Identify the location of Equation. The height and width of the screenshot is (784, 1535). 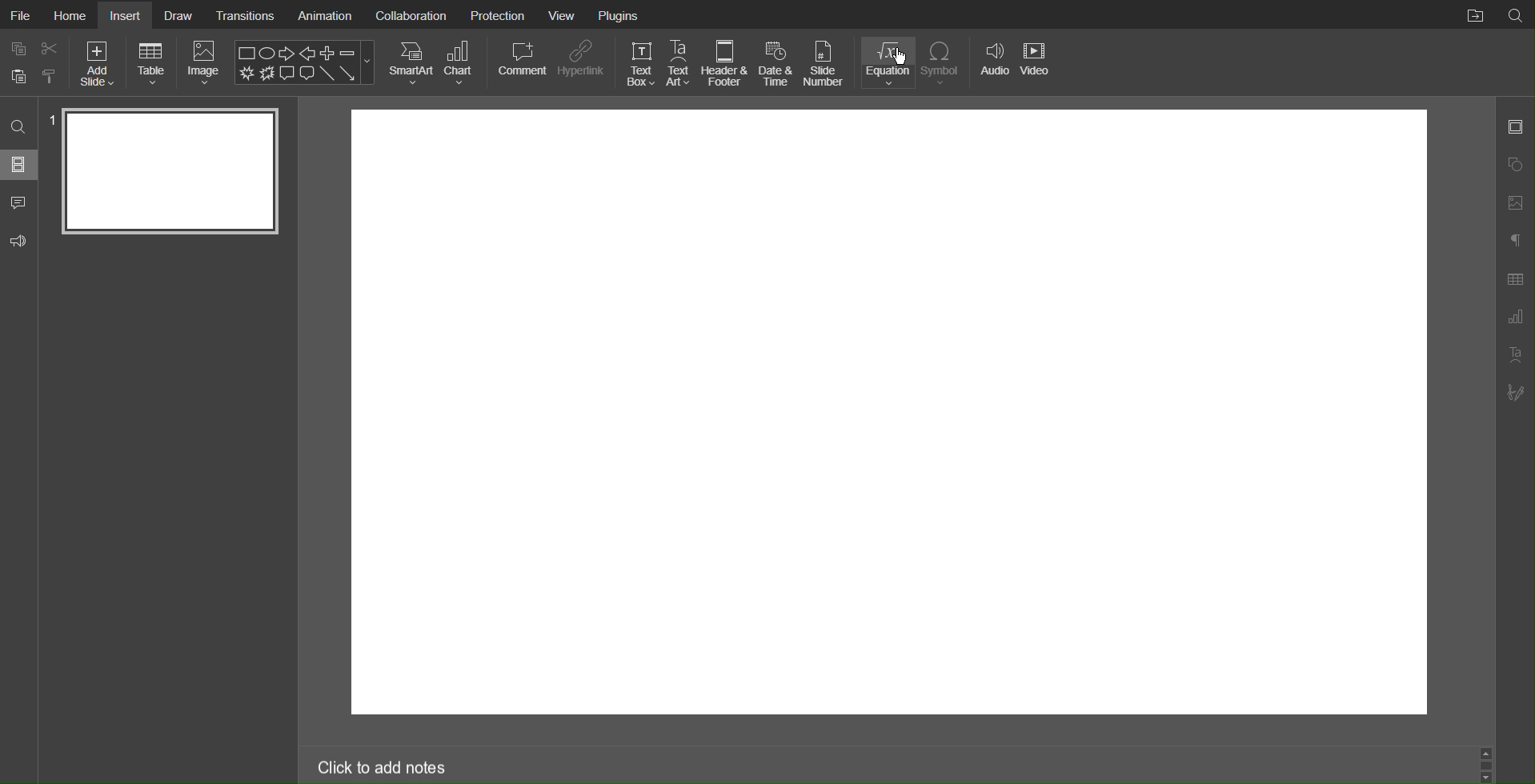
(888, 63).